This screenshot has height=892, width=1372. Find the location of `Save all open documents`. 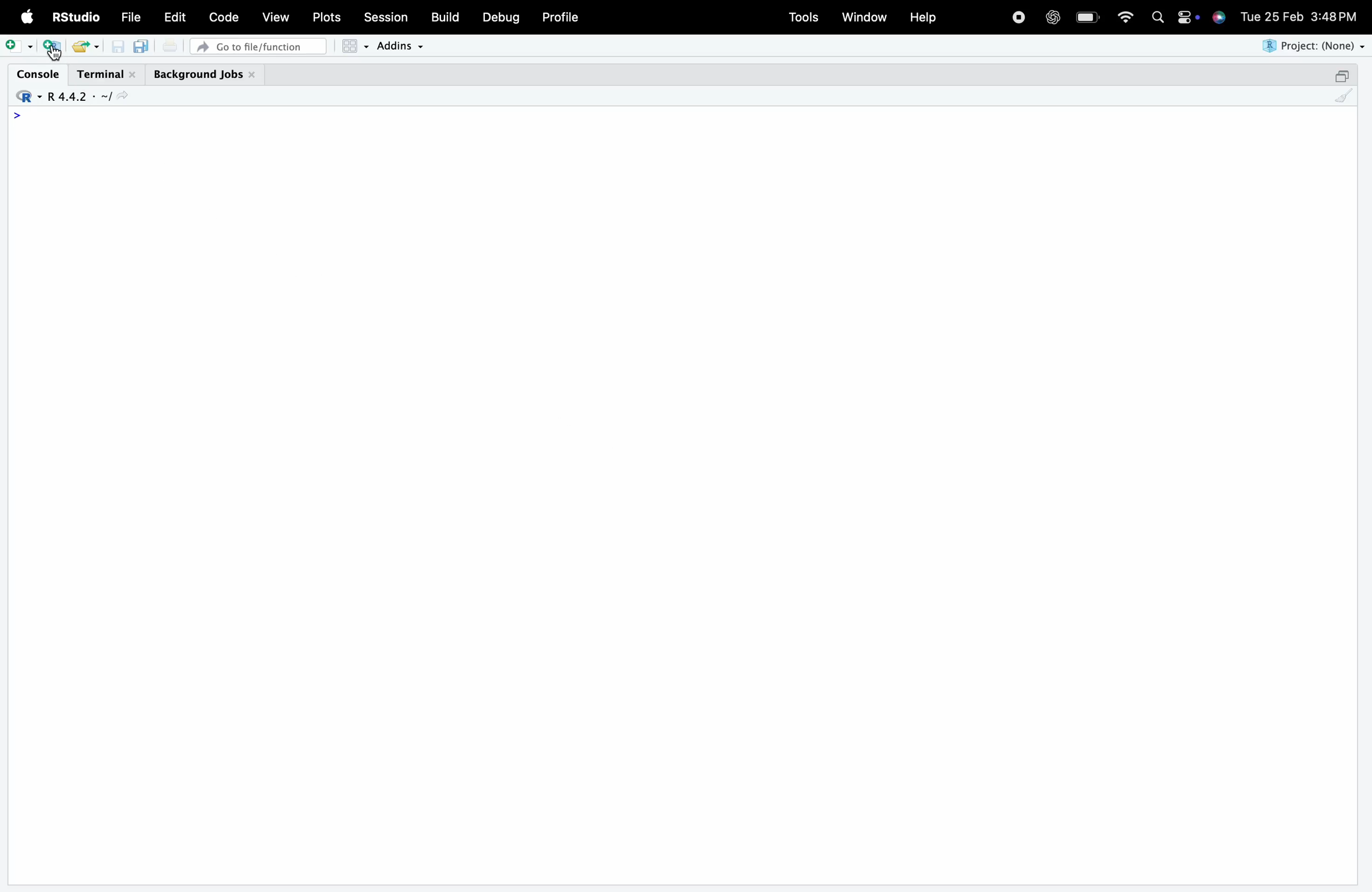

Save all open documents is located at coordinates (142, 46).